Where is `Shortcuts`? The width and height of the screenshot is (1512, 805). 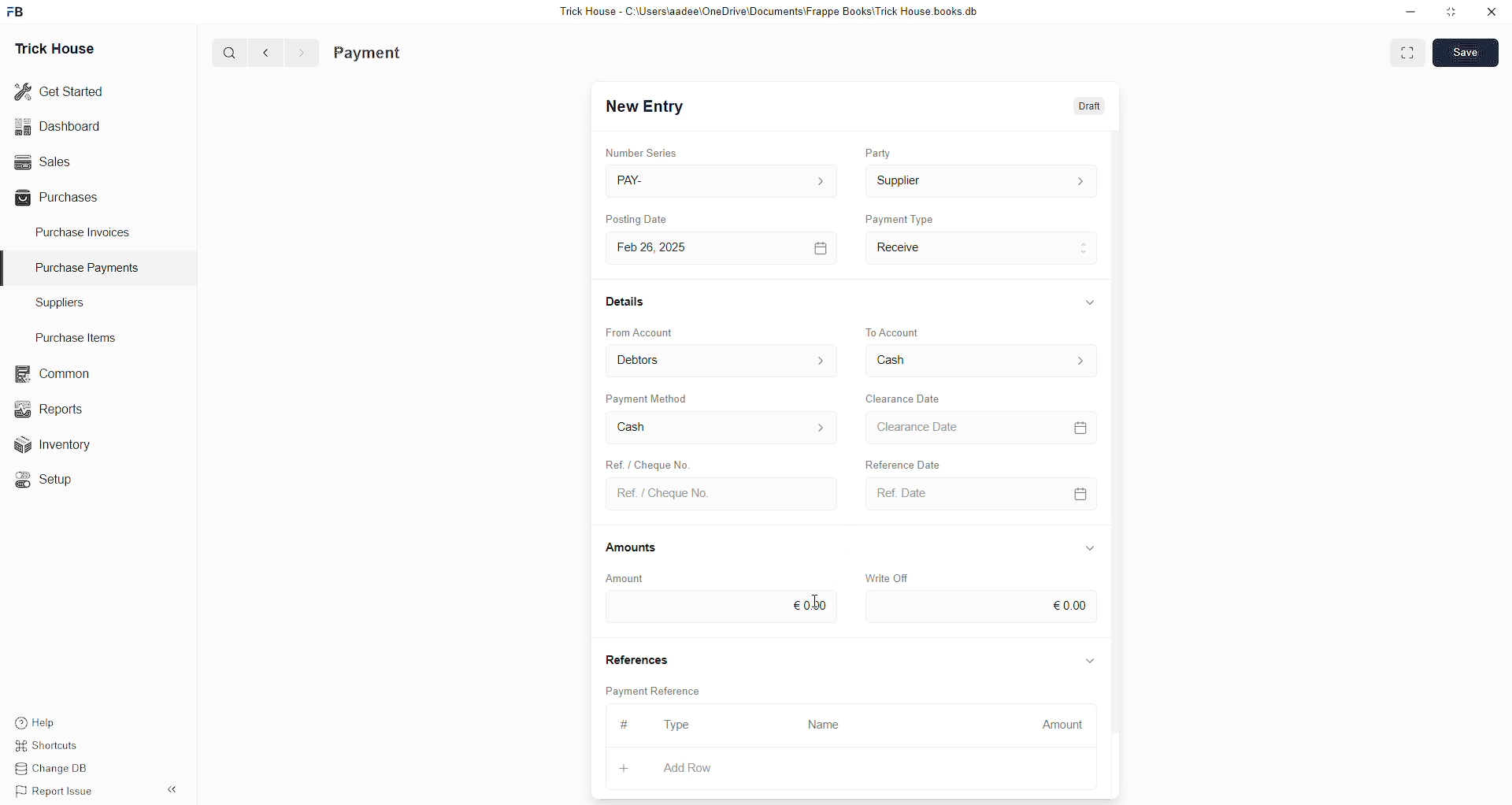 Shortcuts is located at coordinates (47, 746).